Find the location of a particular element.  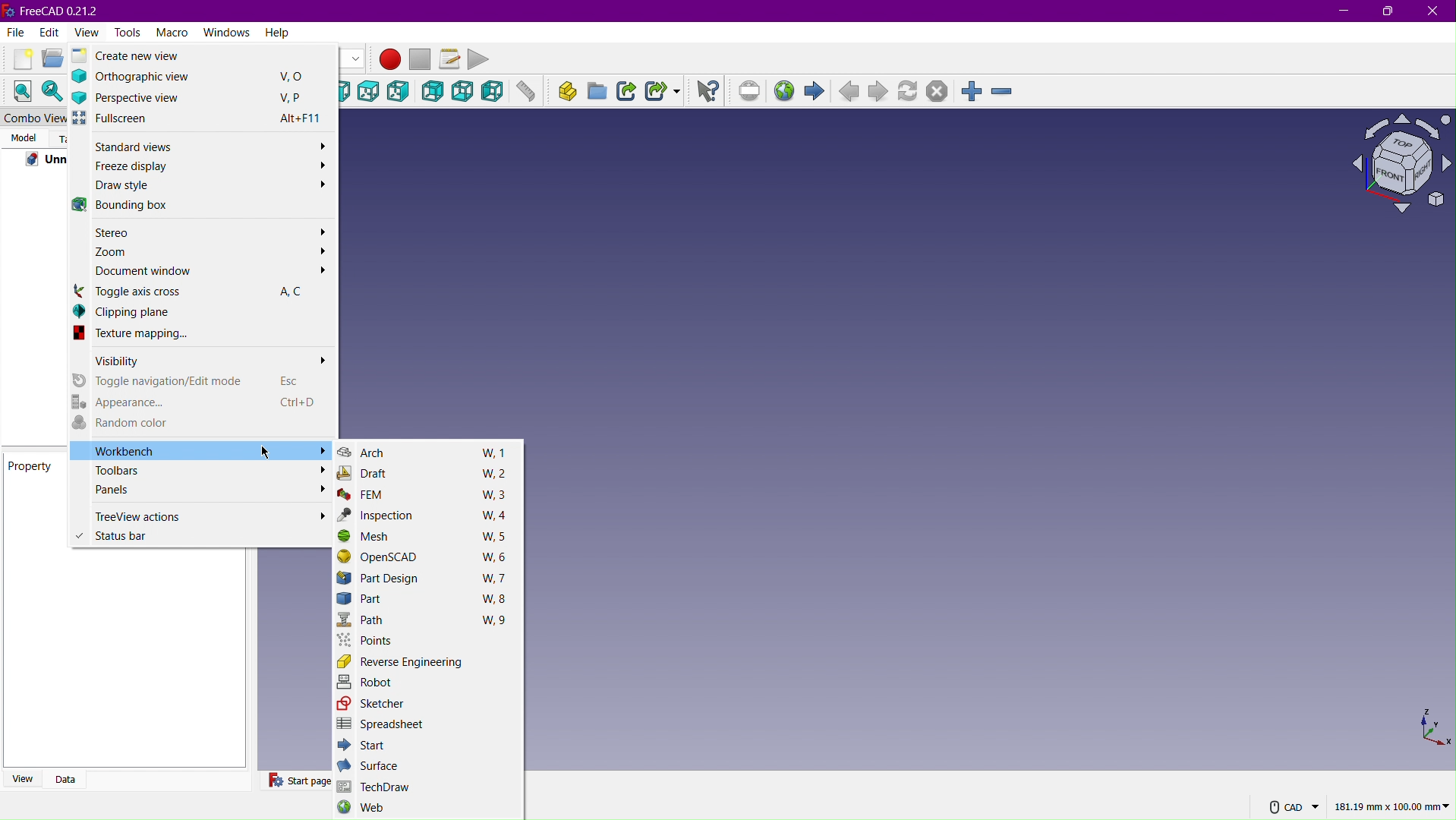

OpenSCAD W, 6 is located at coordinates (430, 560).